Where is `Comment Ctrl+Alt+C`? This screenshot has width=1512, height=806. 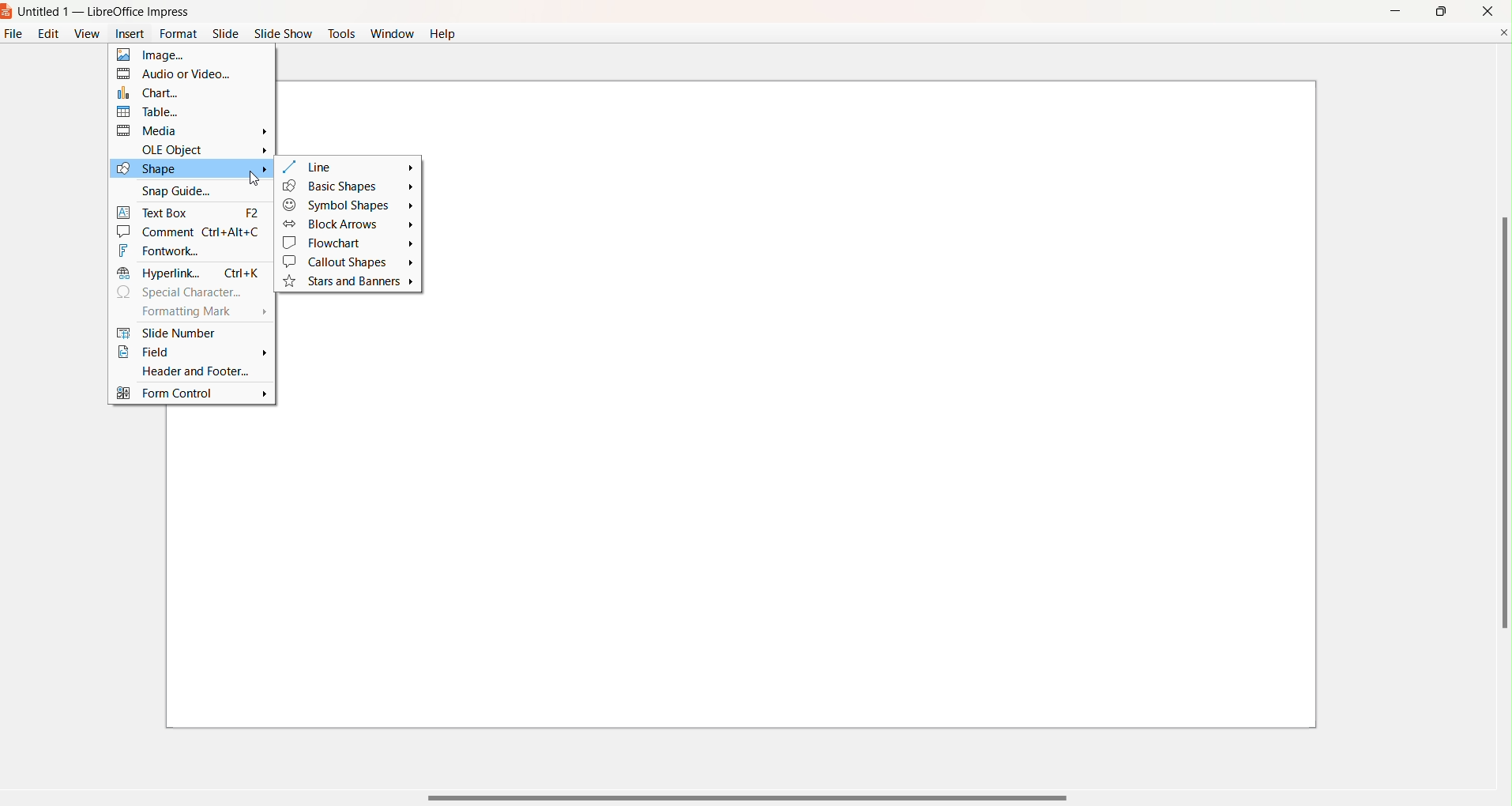 Comment Ctrl+Alt+C is located at coordinates (191, 232).